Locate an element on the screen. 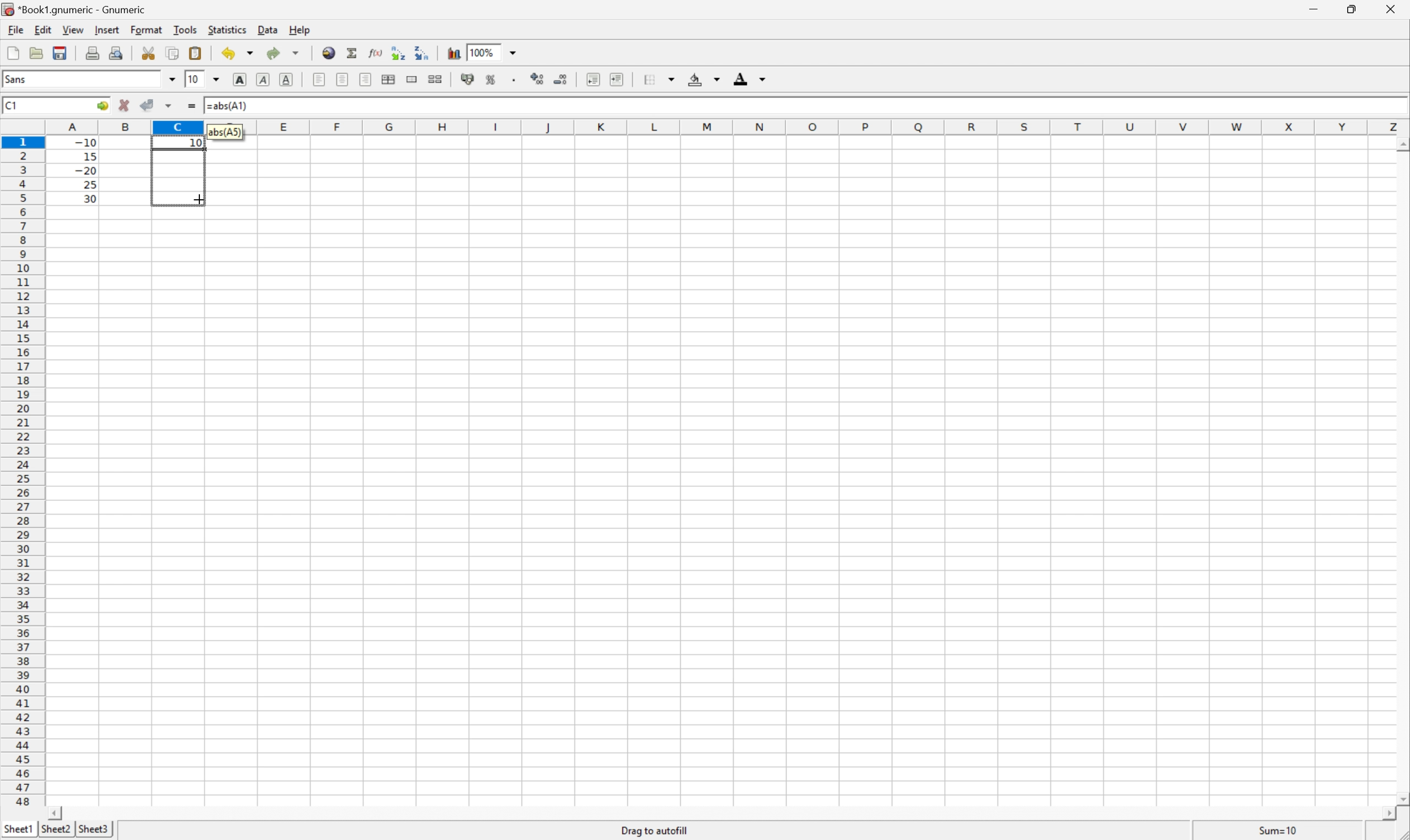 The height and width of the screenshot is (840, 1410). bold is located at coordinates (237, 78).